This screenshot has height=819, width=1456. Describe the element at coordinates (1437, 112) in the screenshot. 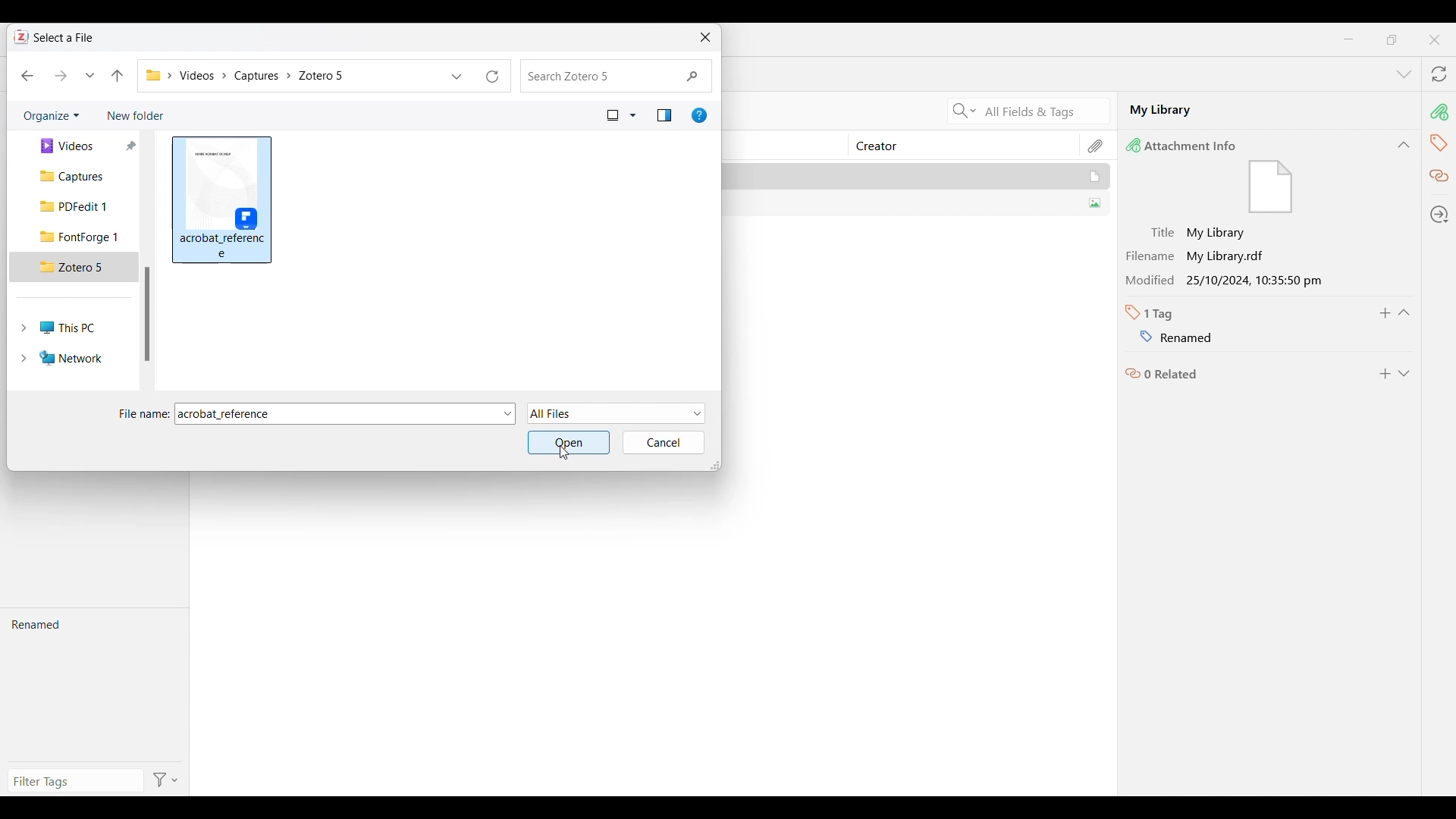

I see `Attachment info` at that location.